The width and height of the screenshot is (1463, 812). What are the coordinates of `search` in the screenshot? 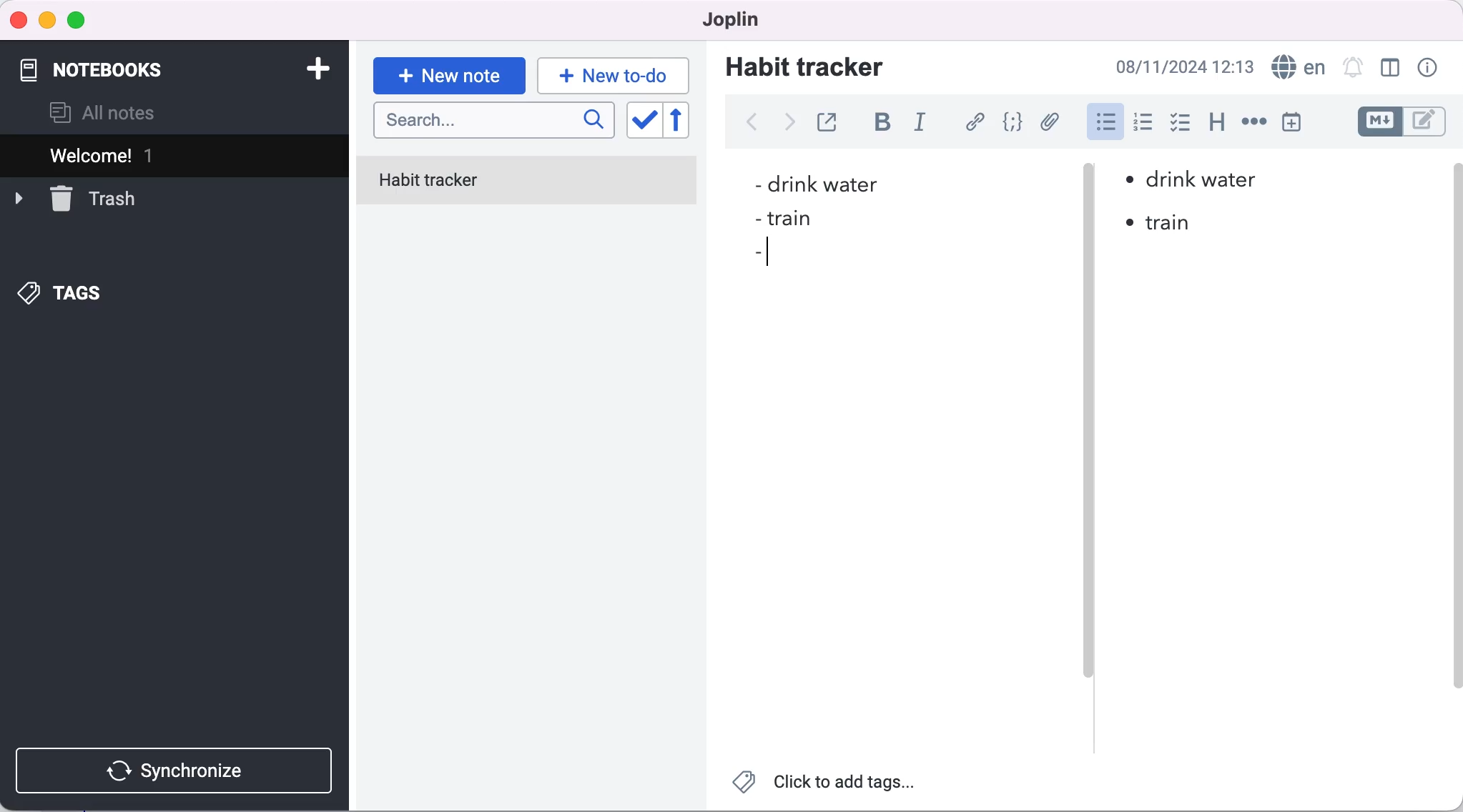 It's located at (494, 122).